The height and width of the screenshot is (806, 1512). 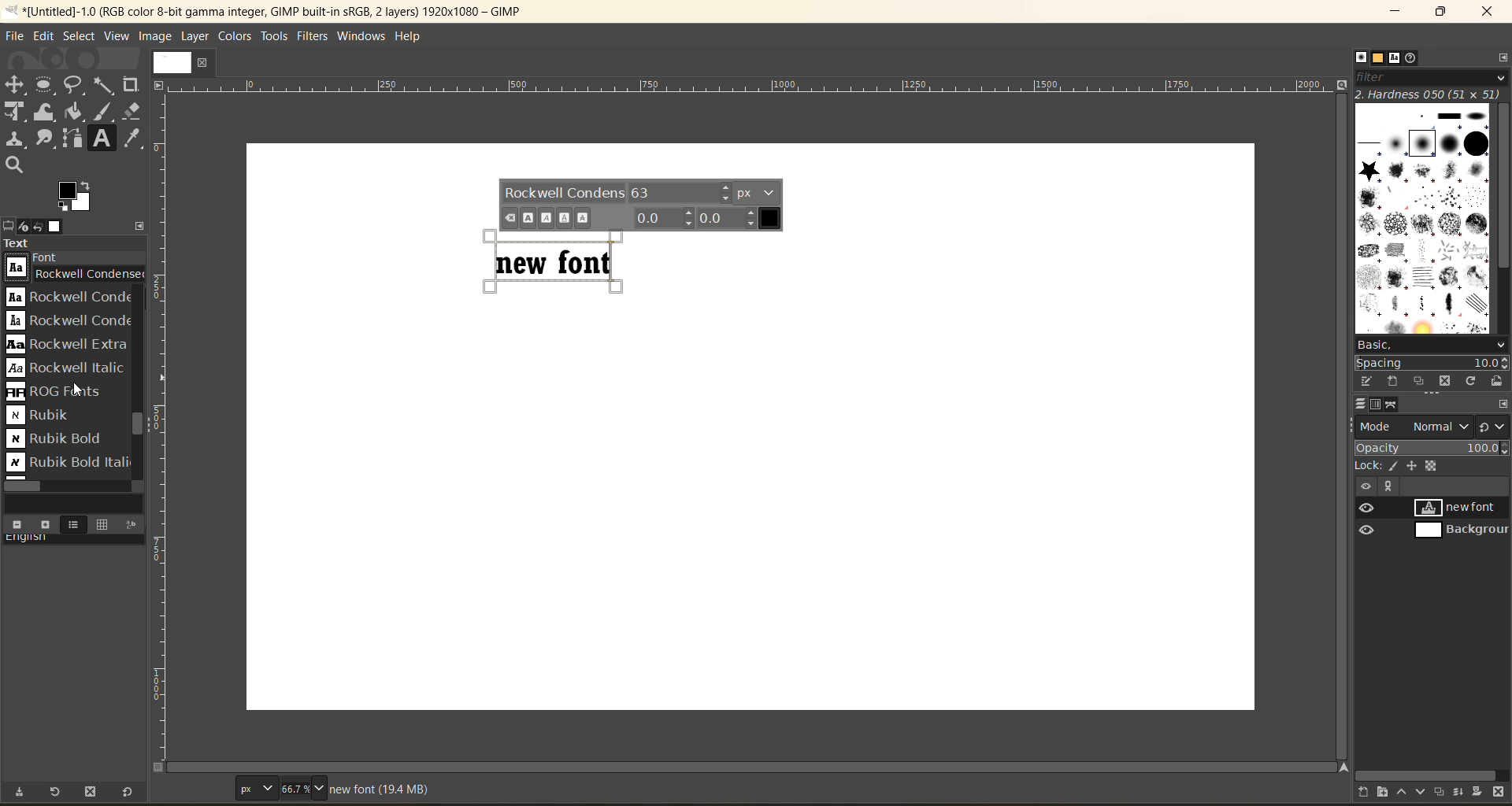 I want to click on horizontal scroll bar, so click(x=1428, y=775).